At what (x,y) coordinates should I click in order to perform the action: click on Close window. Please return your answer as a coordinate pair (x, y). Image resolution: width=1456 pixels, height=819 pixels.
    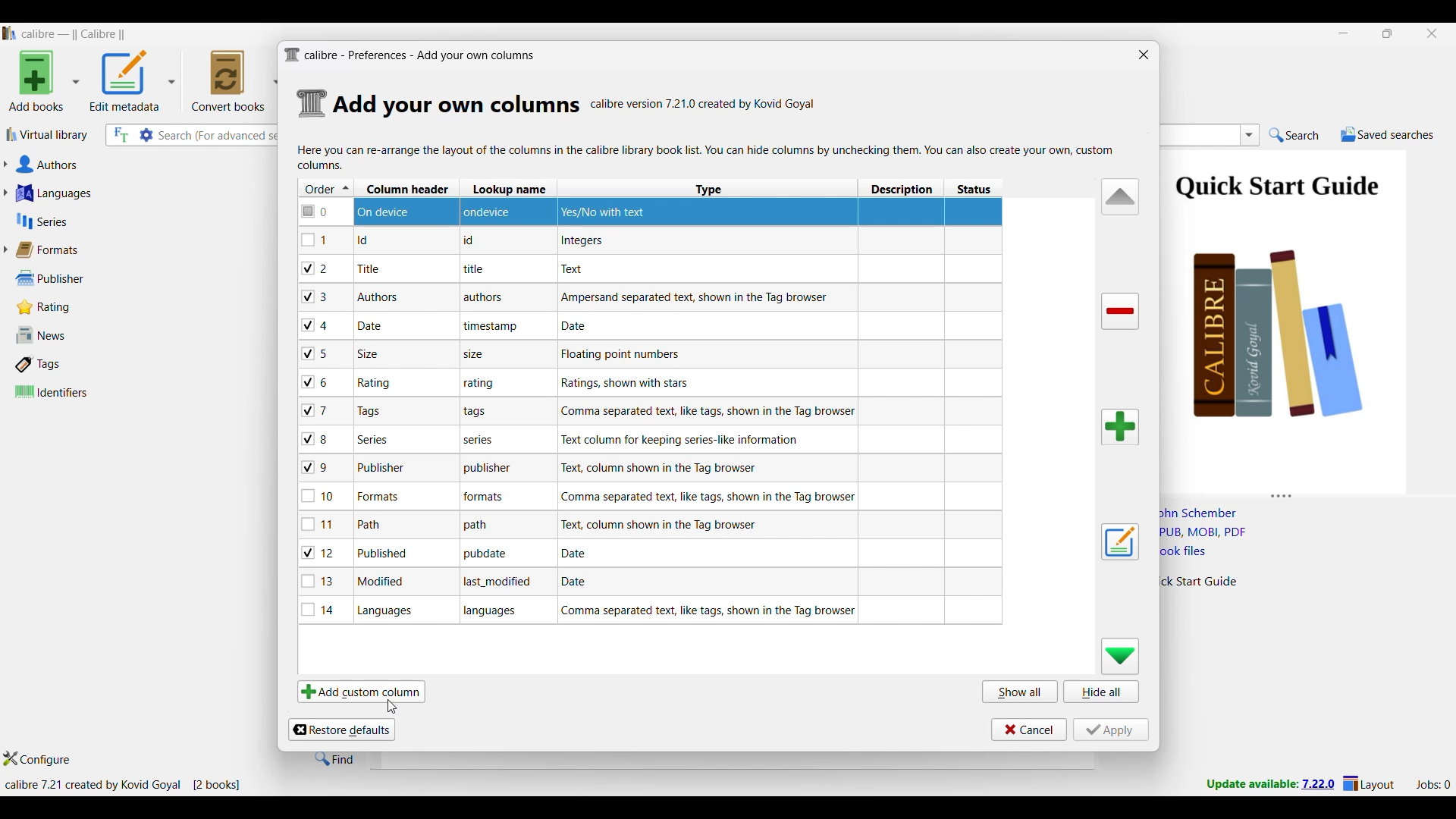
    Looking at the image, I should click on (1144, 55).